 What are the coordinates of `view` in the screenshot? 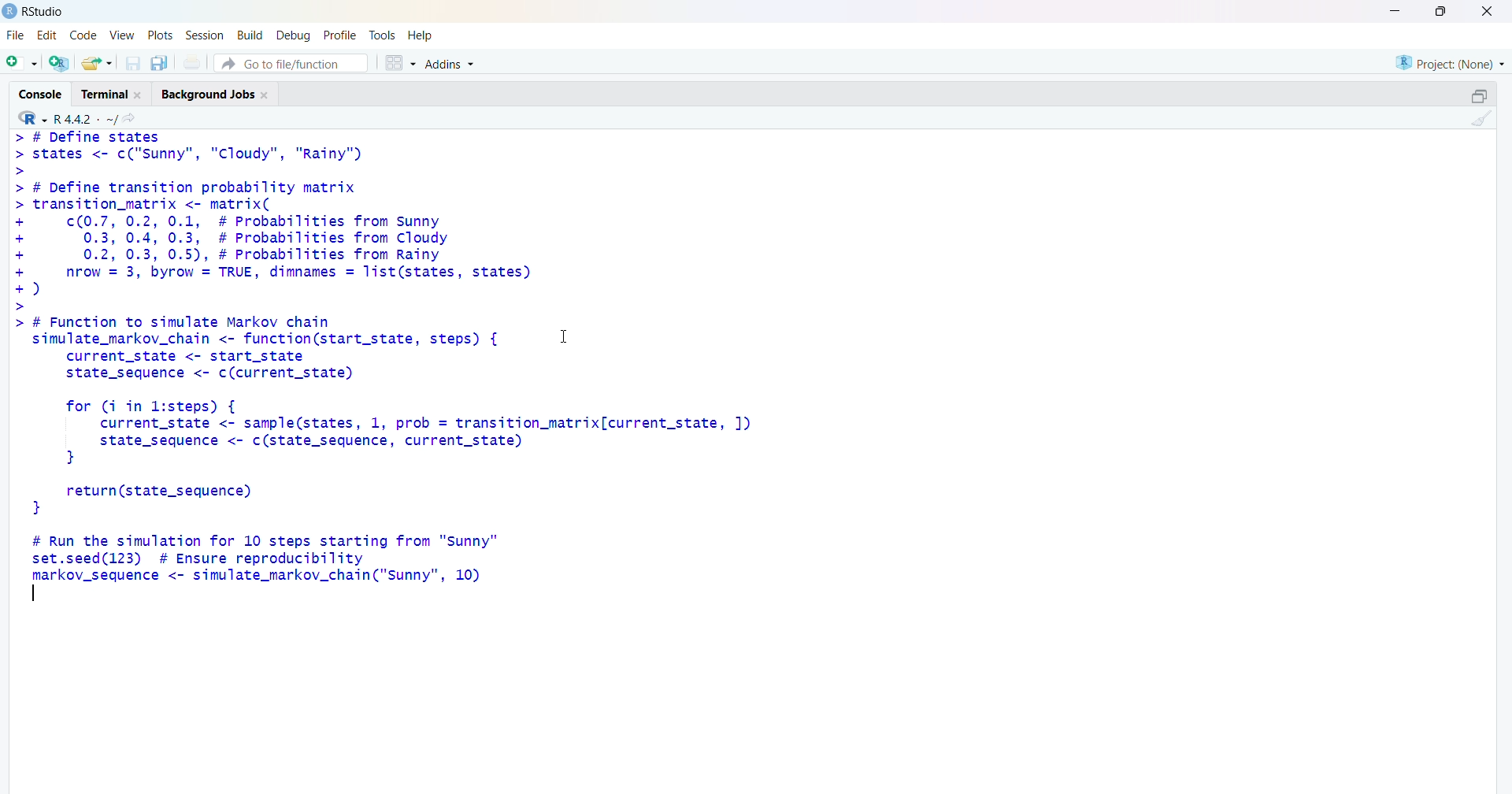 It's located at (122, 34).